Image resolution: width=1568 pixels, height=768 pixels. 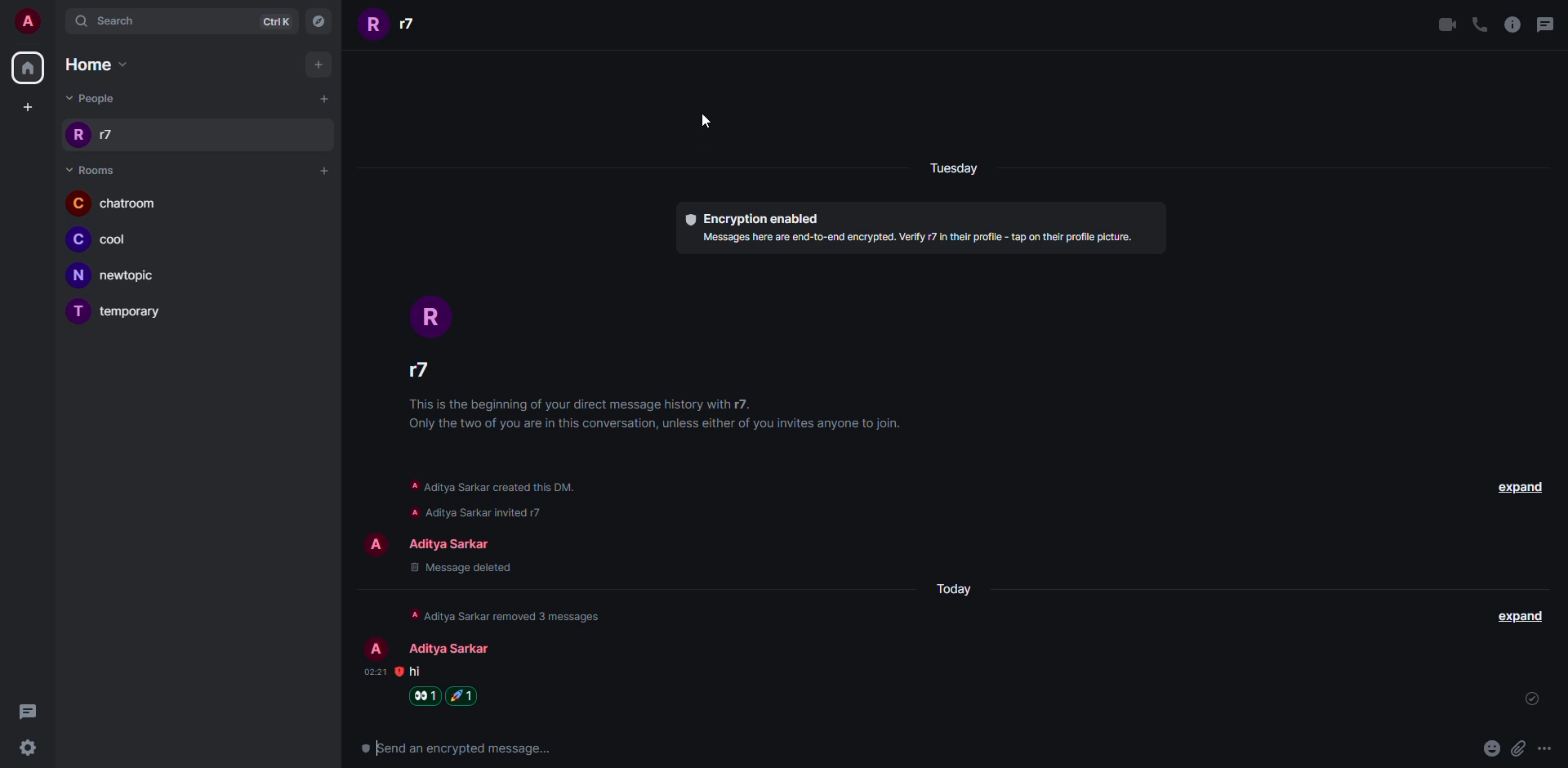 I want to click on add, so click(x=322, y=65).